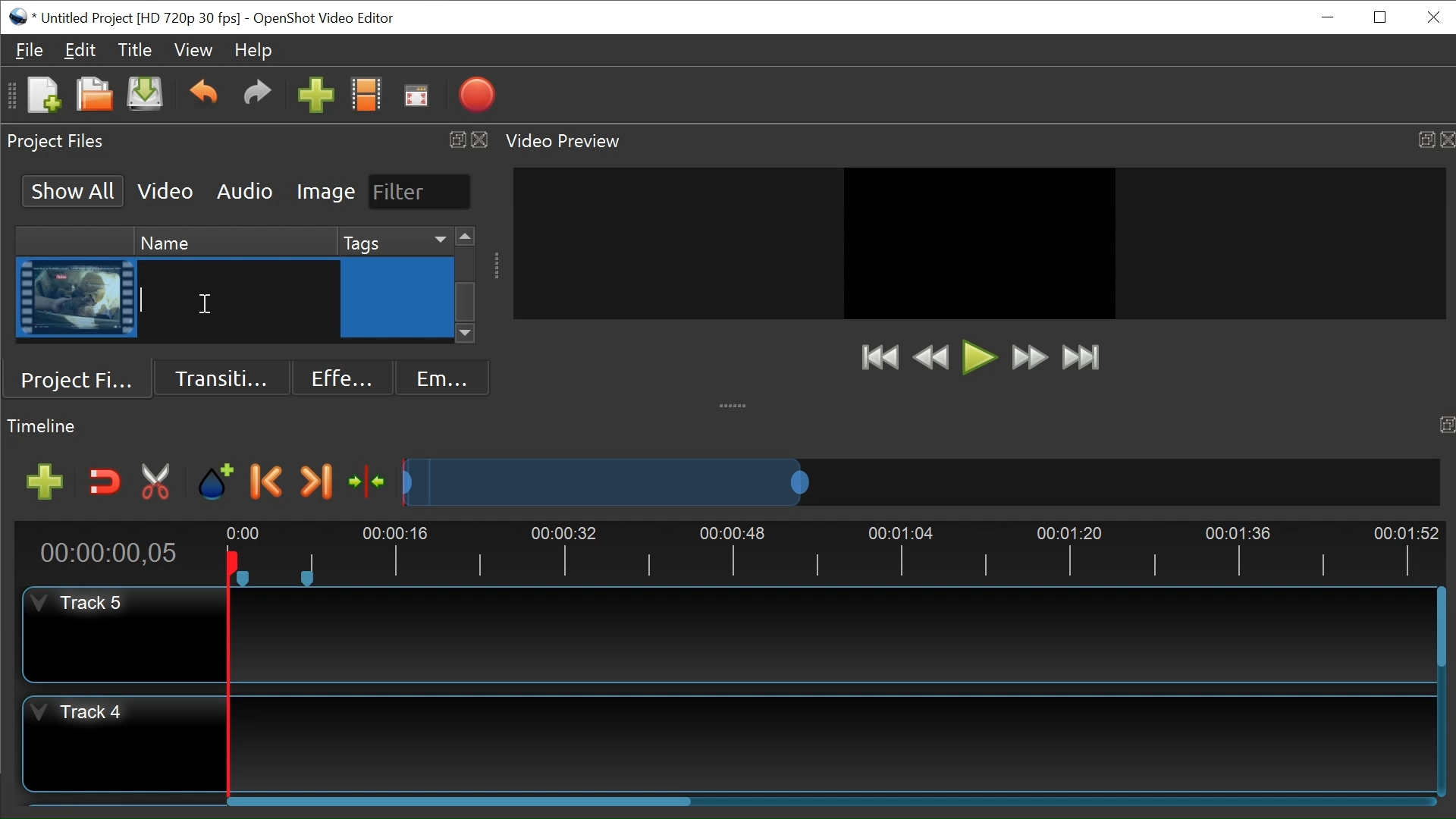 Image resolution: width=1456 pixels, height=819 pixels. I want to click on Vertical Scroll bar, so click(466, 301).